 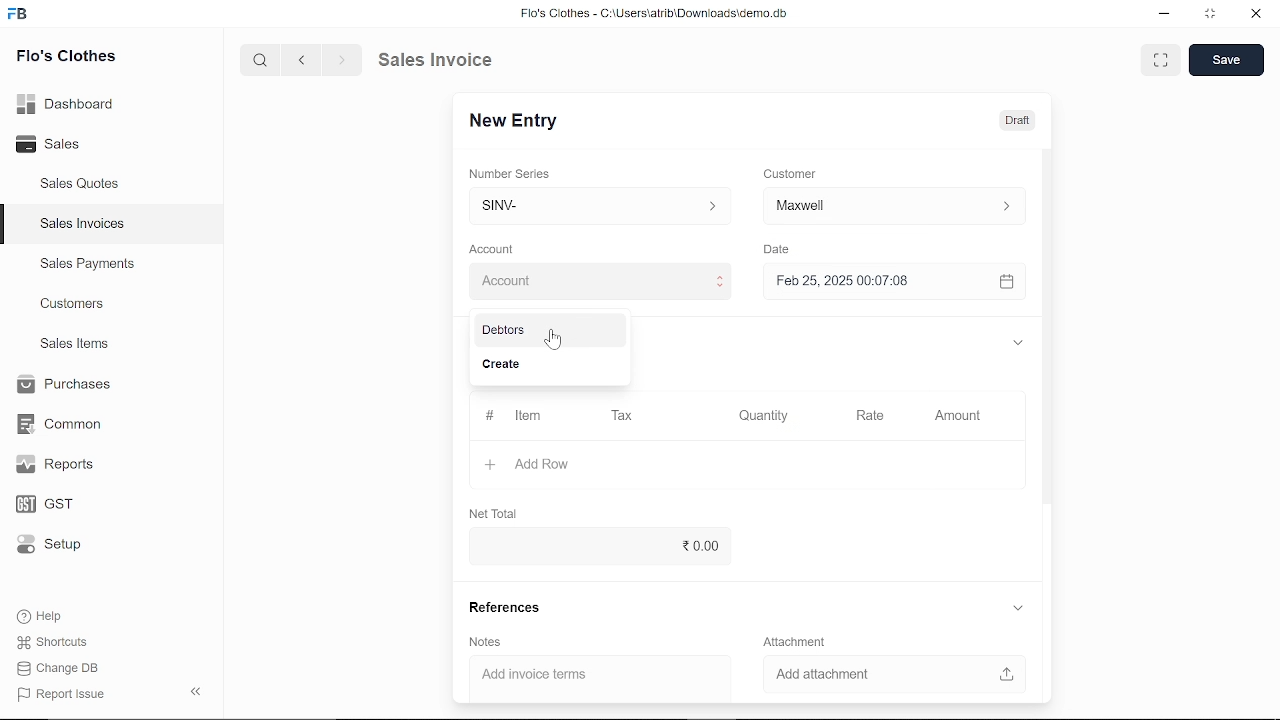 What do you see at coordinates (510, 173) in the screenshot?
I see `‘Number Series` at bounding box center [510, 173].